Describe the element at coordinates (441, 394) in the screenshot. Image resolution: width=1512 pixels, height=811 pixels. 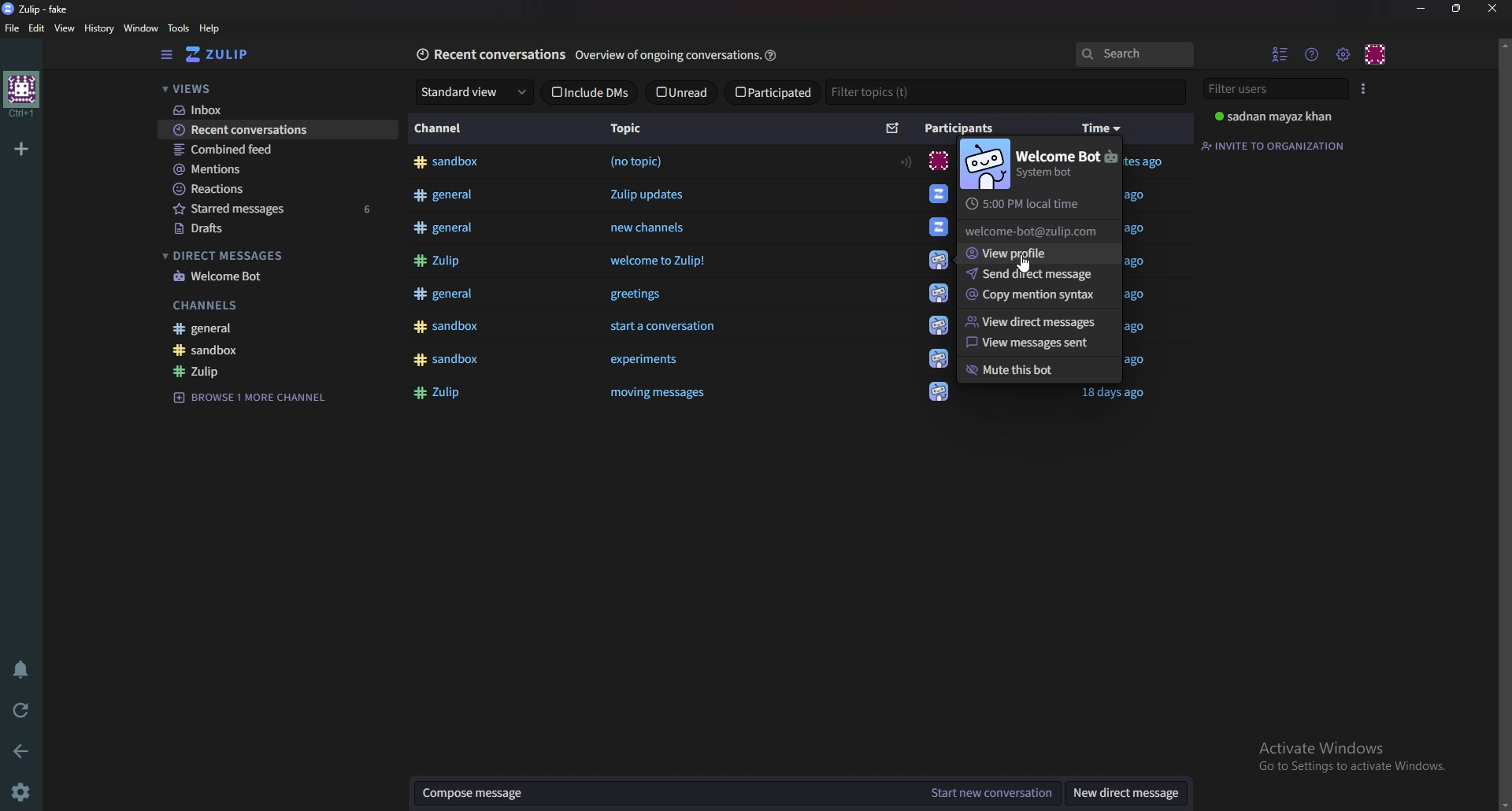
I see `# Zulip` at that location.